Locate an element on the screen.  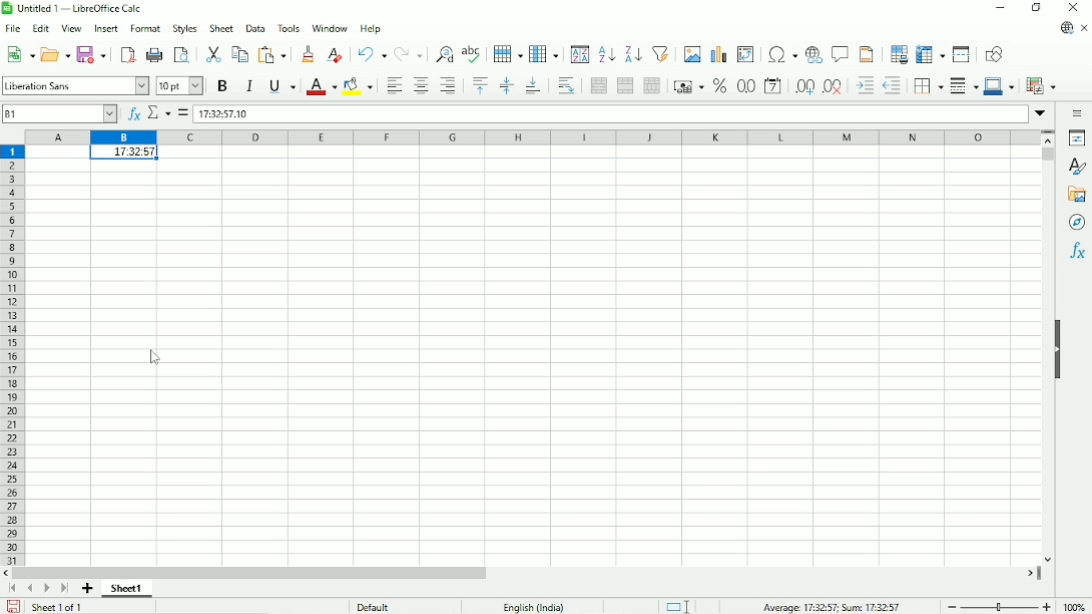
Find and replace is located at coordinates (442, 54).